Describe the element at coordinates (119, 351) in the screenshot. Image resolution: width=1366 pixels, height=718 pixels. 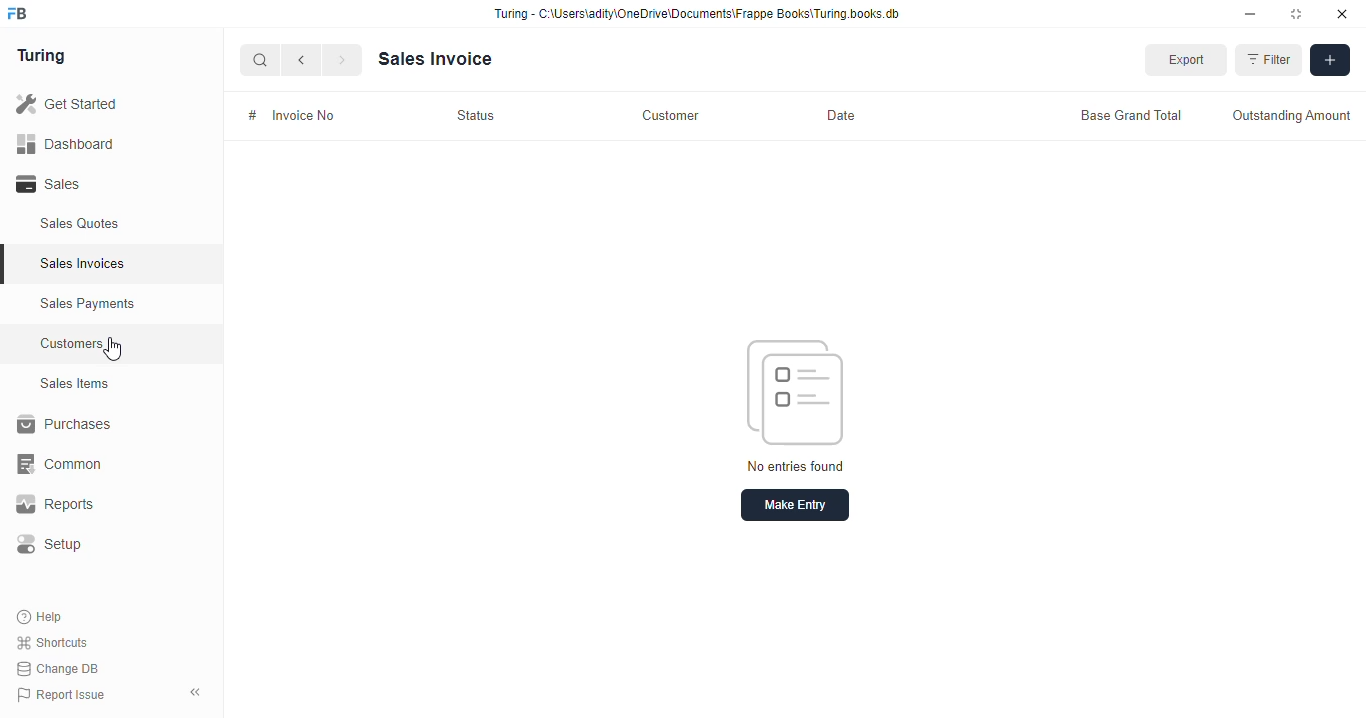
I see `cursor` at that location.